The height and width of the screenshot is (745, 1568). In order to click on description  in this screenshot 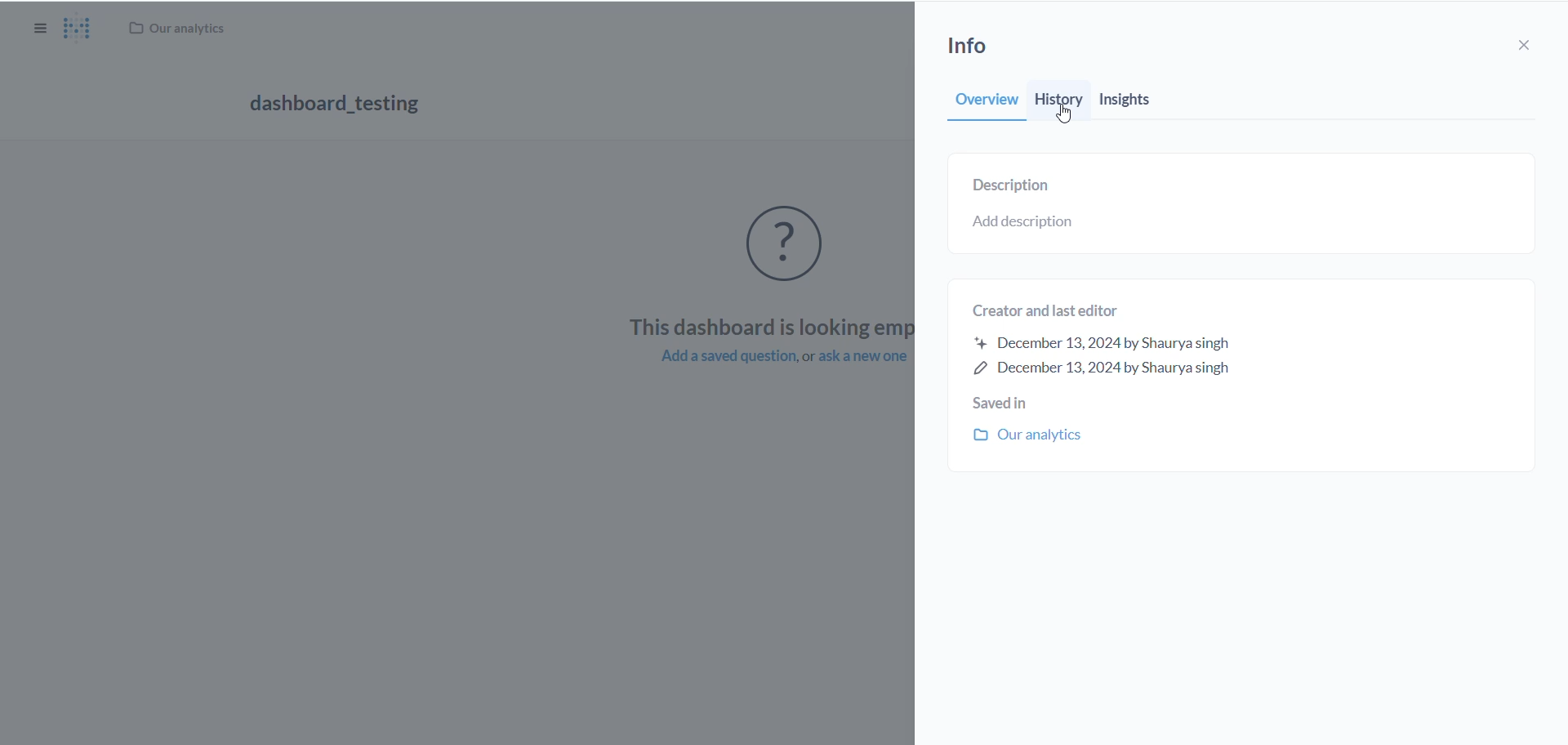, I will do `click(1004, 181)`.